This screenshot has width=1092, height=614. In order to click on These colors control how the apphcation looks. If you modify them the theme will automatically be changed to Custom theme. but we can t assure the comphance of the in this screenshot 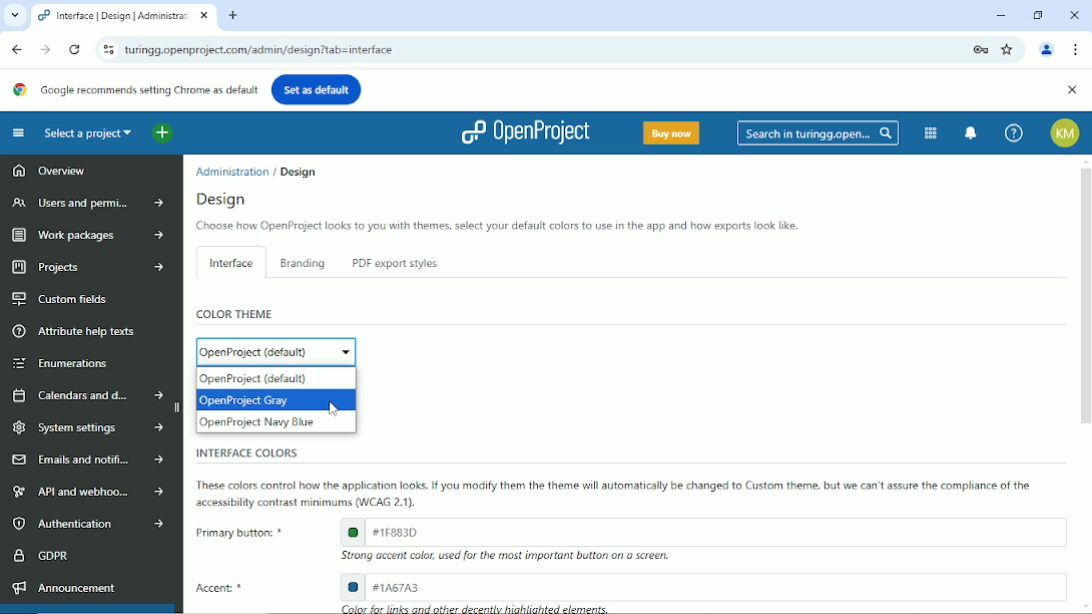, I will do `click(618, 485)`.